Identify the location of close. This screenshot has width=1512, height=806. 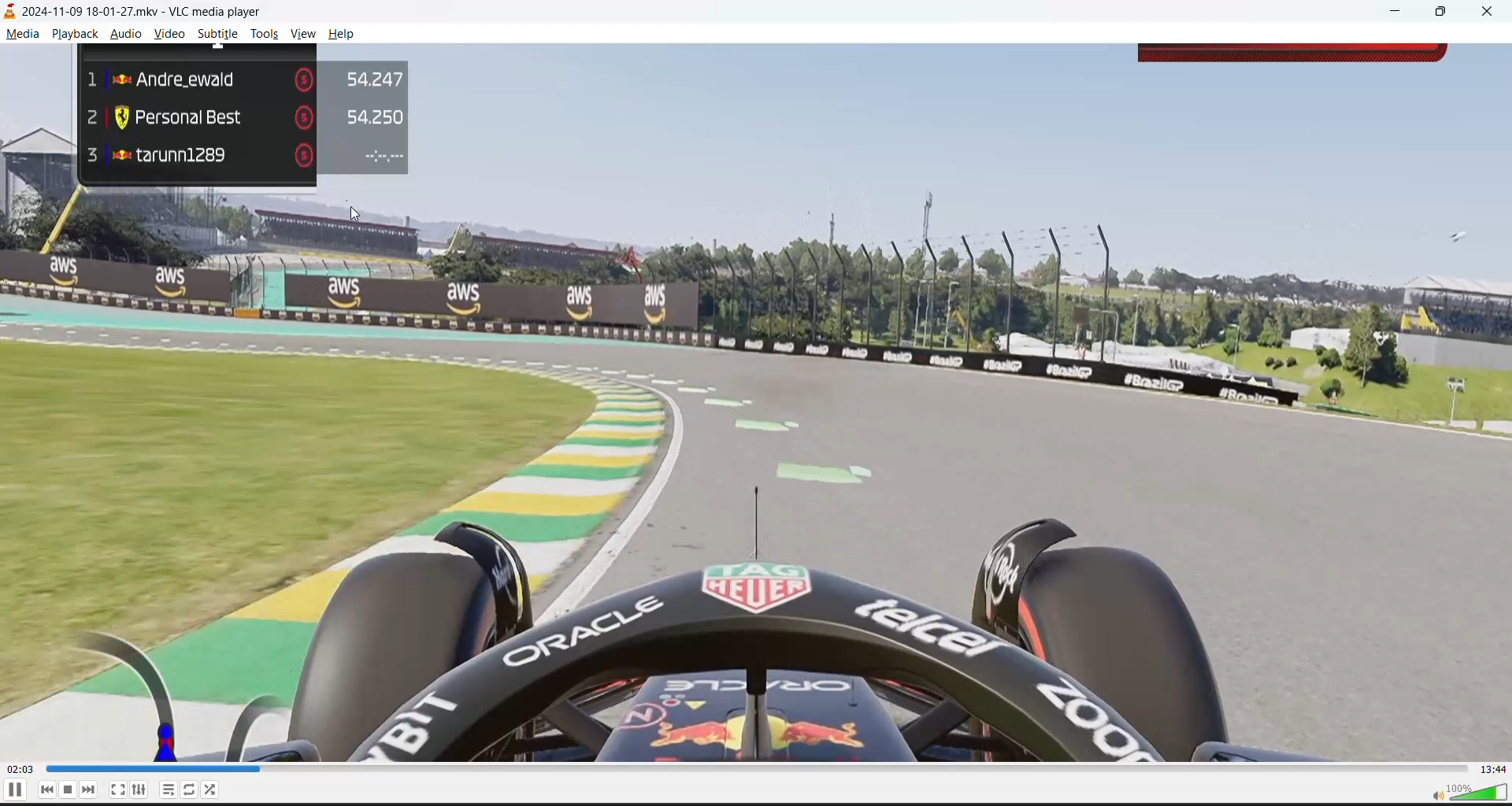
(1483, 13).